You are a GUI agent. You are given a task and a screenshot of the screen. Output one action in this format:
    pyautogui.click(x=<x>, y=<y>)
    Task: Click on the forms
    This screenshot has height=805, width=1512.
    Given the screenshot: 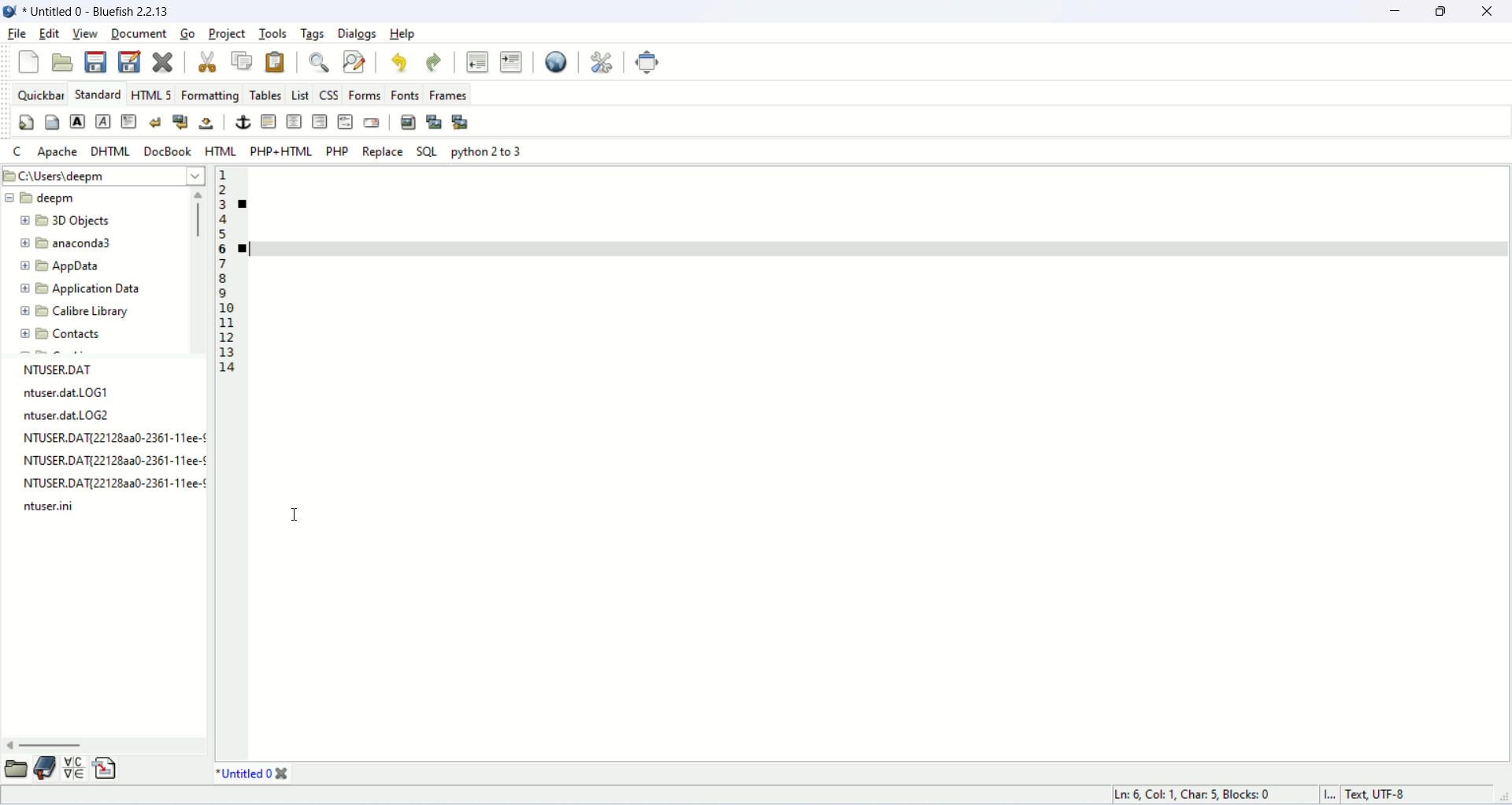 What is the action you would take?
    pyautogui.click(x=363, y=95)
    